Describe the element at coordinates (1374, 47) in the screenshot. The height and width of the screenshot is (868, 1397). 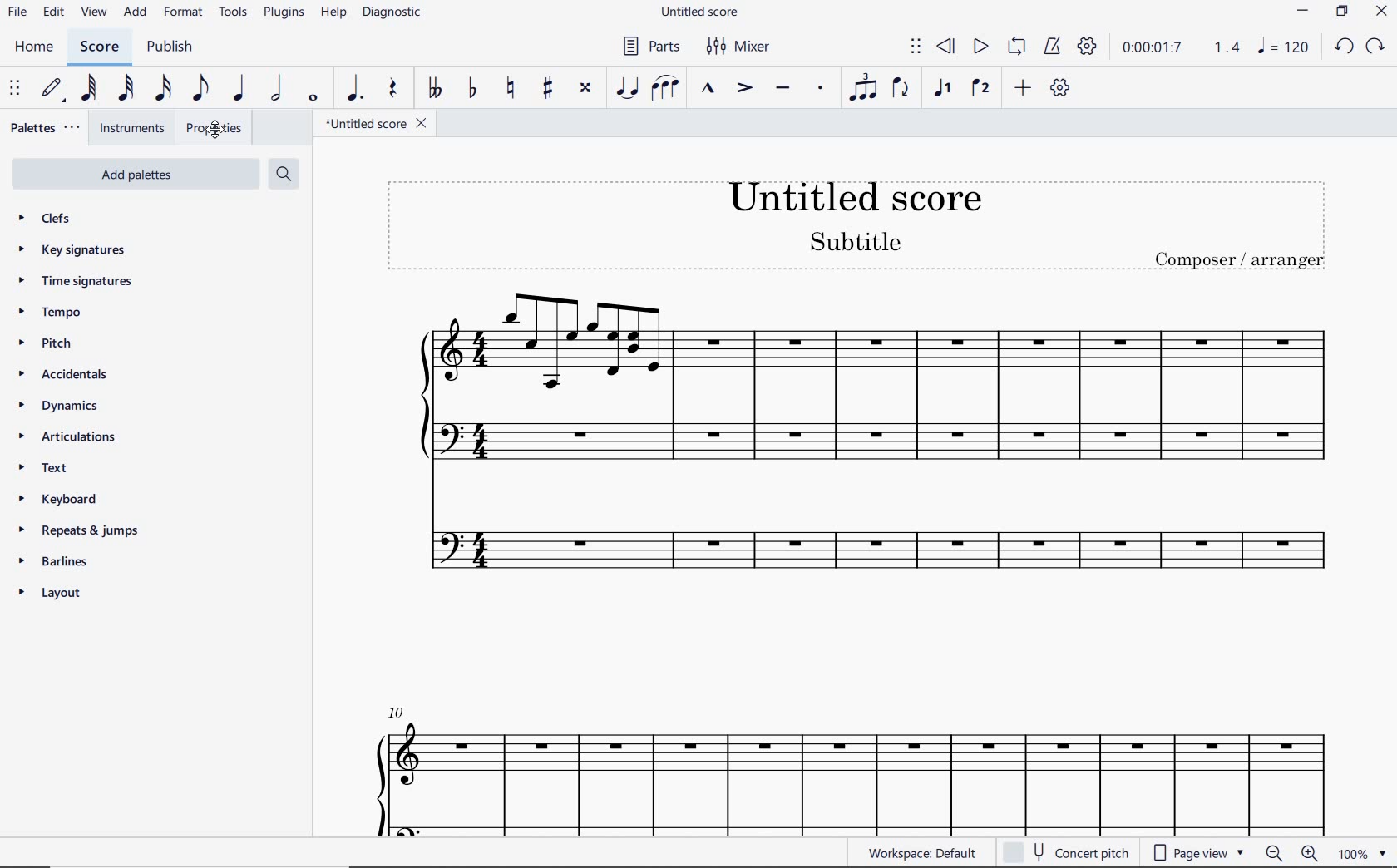
I see `REDO` at that location.